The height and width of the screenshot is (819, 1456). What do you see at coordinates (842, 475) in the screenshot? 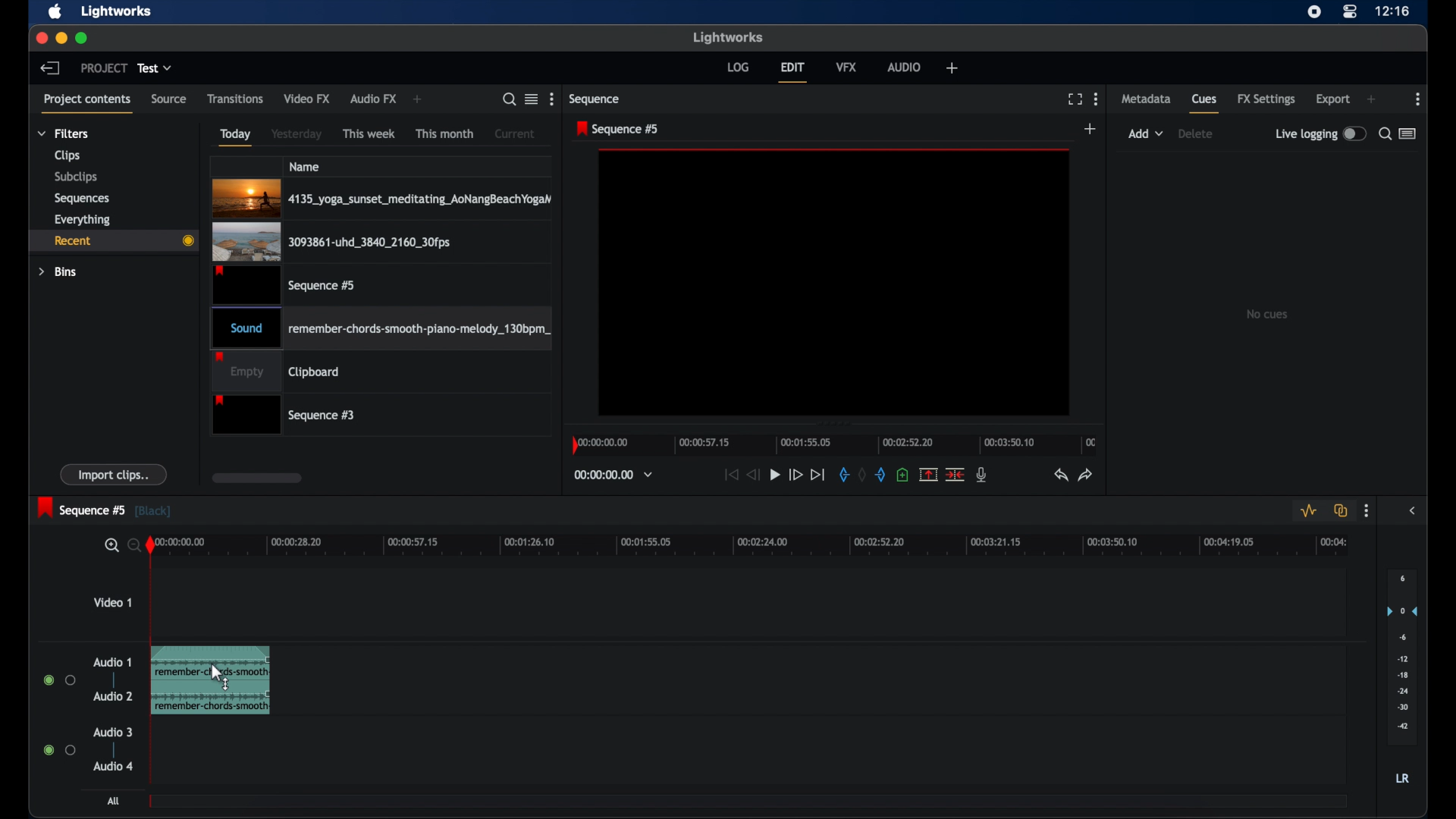
I see `in mark` at bounding box center [842, 475].